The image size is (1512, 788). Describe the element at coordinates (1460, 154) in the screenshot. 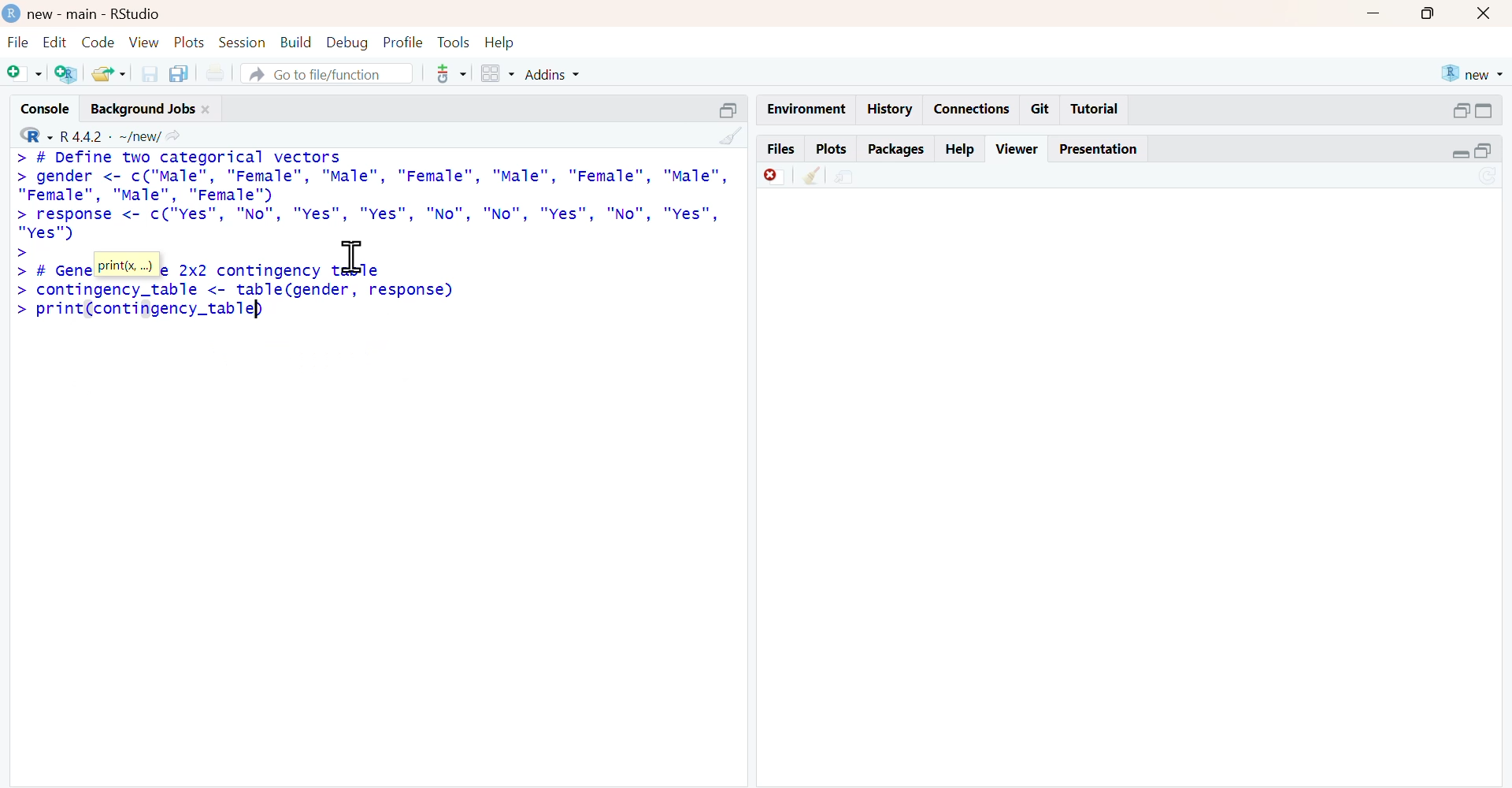

I see `expand/collapse` at that location.